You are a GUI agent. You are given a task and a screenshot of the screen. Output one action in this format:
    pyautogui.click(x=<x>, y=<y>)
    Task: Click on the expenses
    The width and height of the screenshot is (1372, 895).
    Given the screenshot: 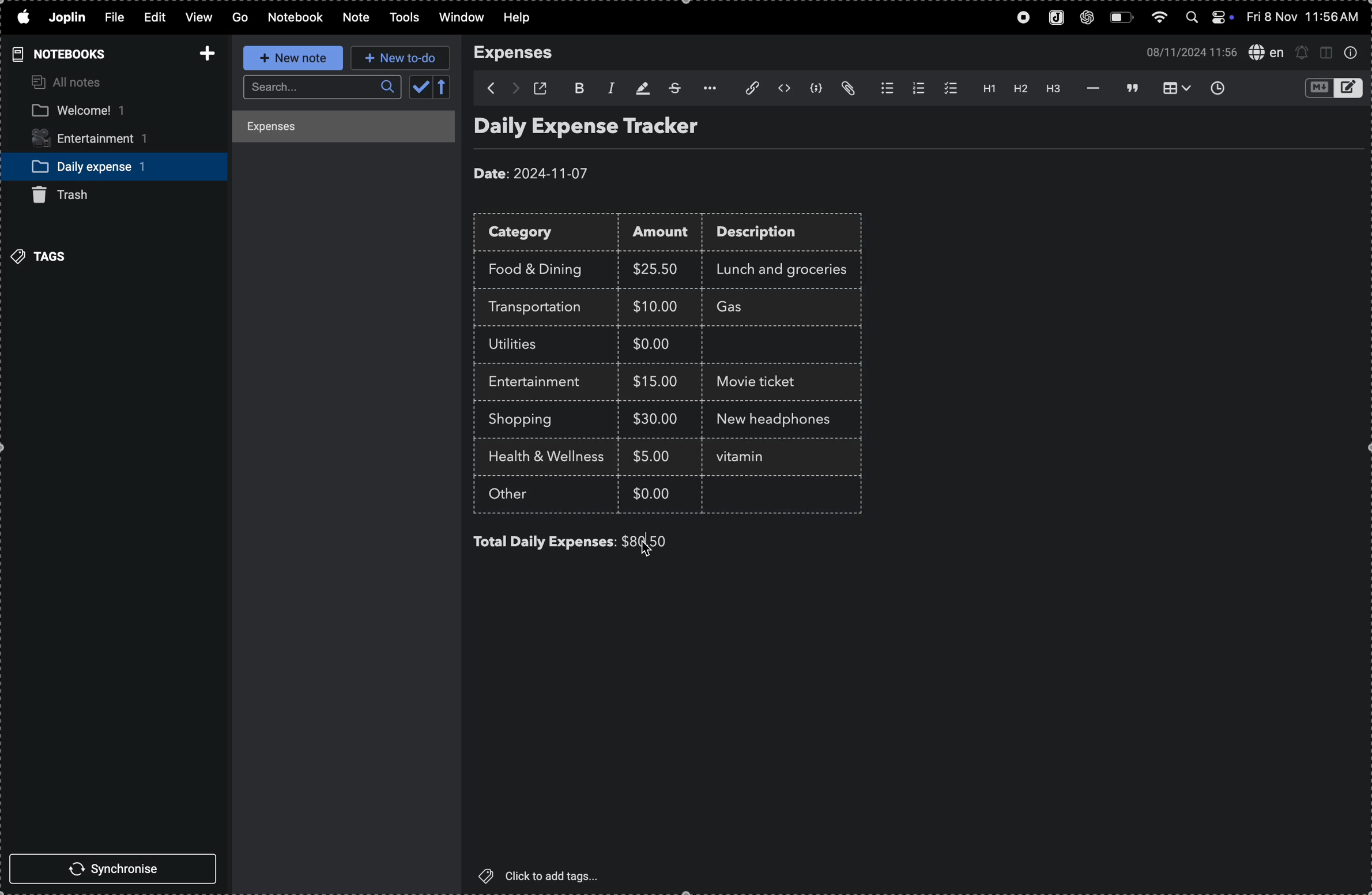 What is the action you would take?
    pyautogui.click(x=333, y=129)
    